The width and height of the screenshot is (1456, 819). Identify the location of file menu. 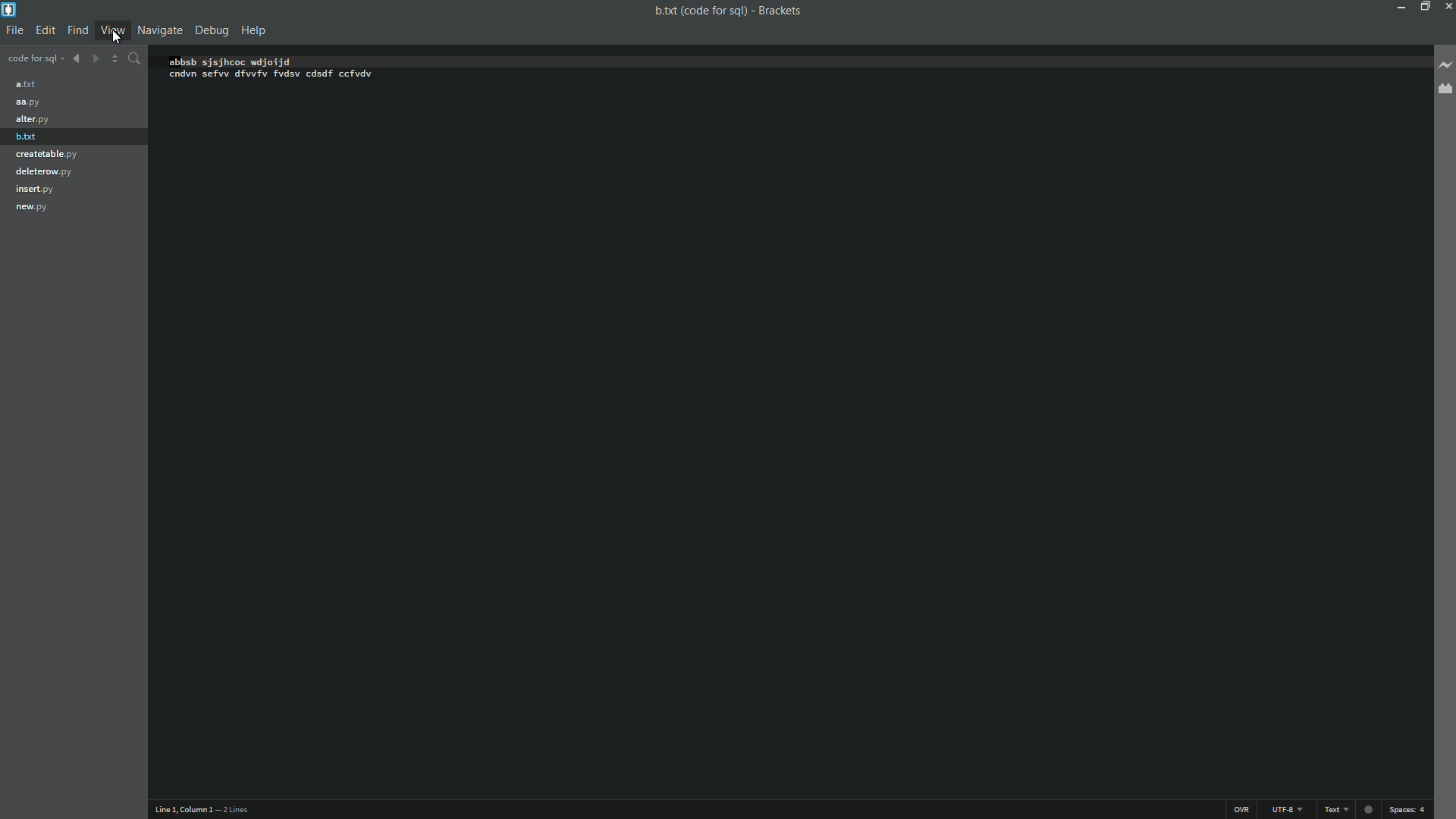
(14, 31).